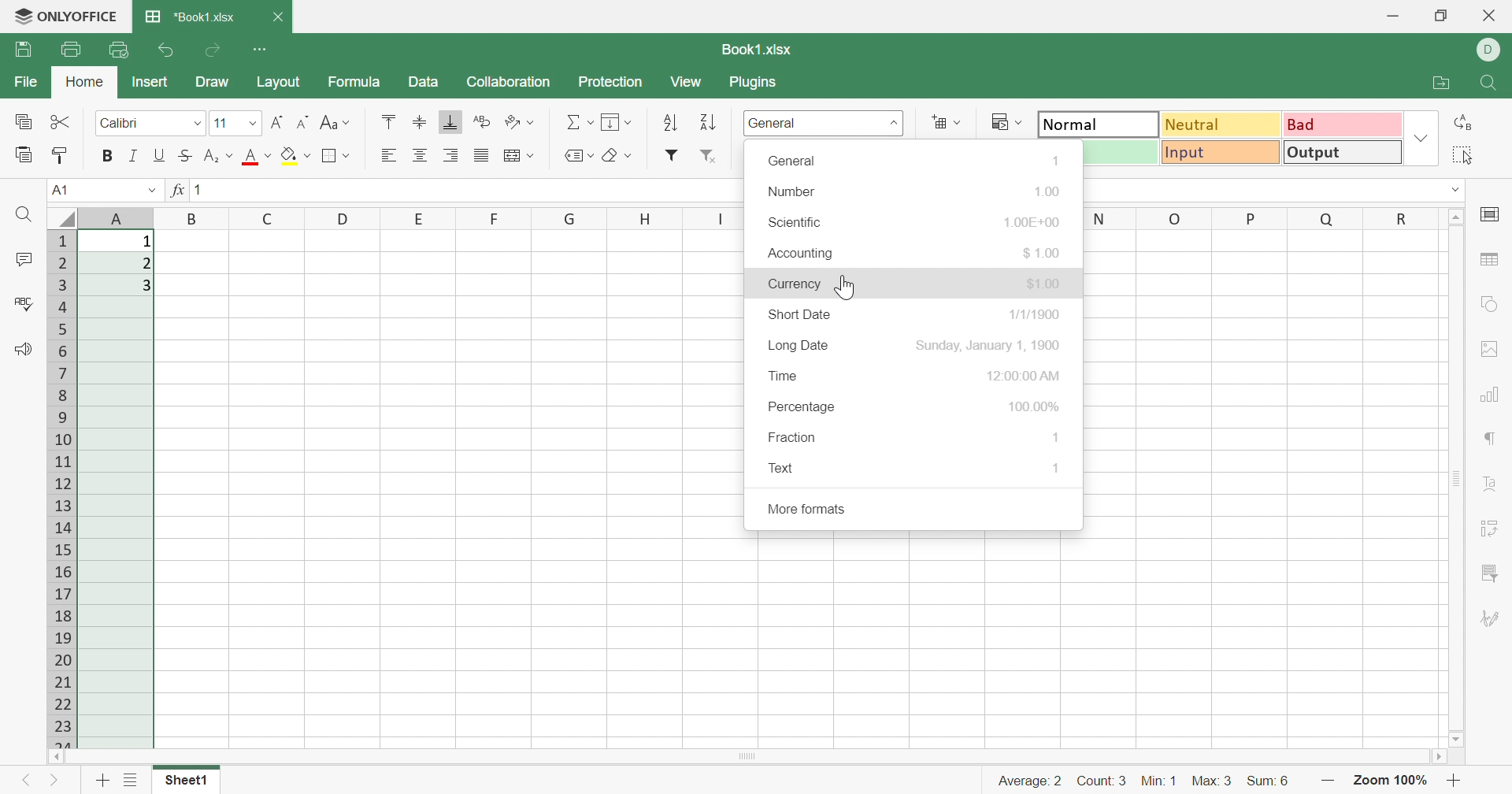 This screenshot has width=1512, height=794. What do you see at coordinates (215, 50) in the screenshot?
I see `Redo` at bounding box center [215, 50].